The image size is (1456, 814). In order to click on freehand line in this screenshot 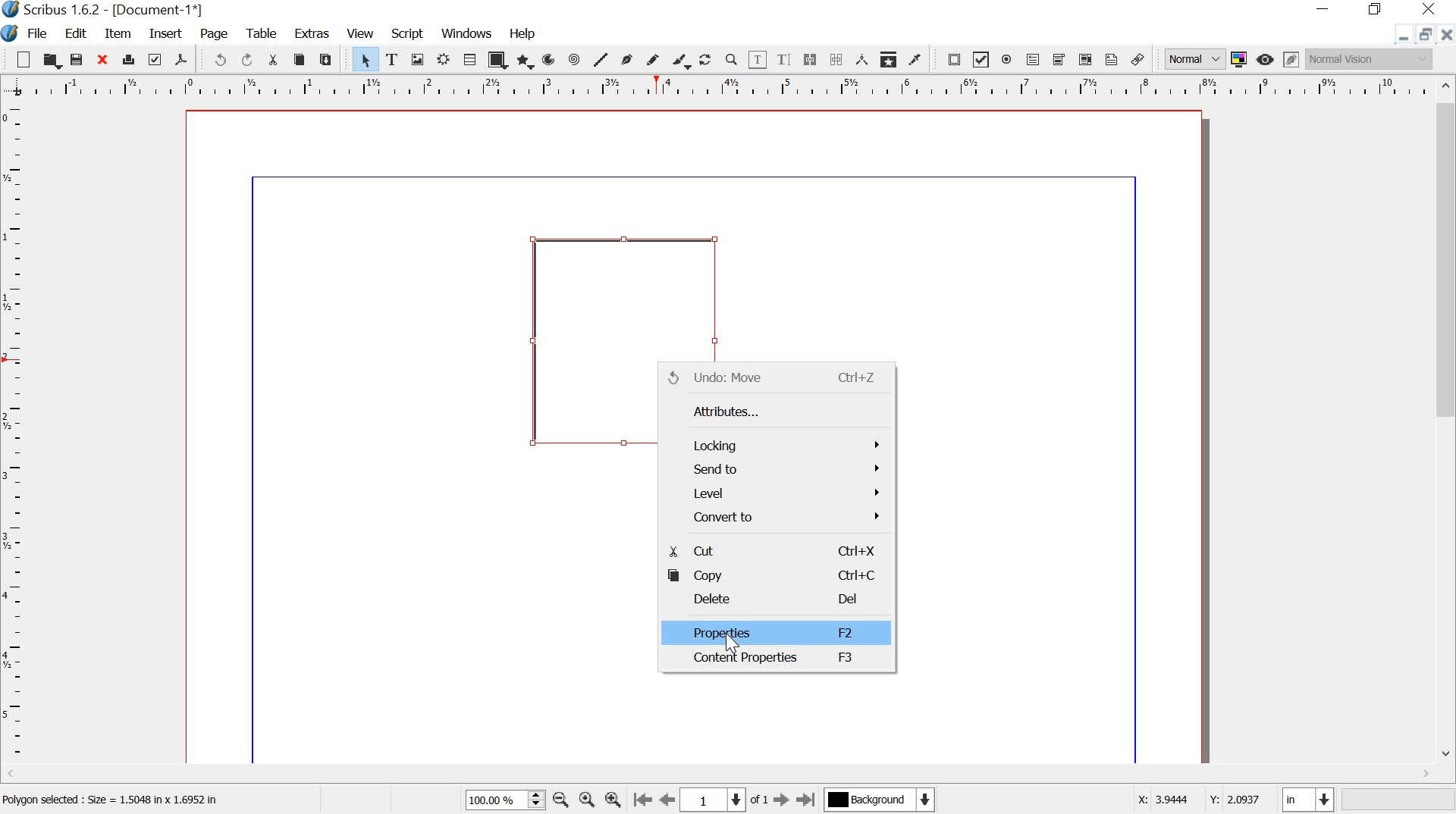, I will do `click(656, 61)`.